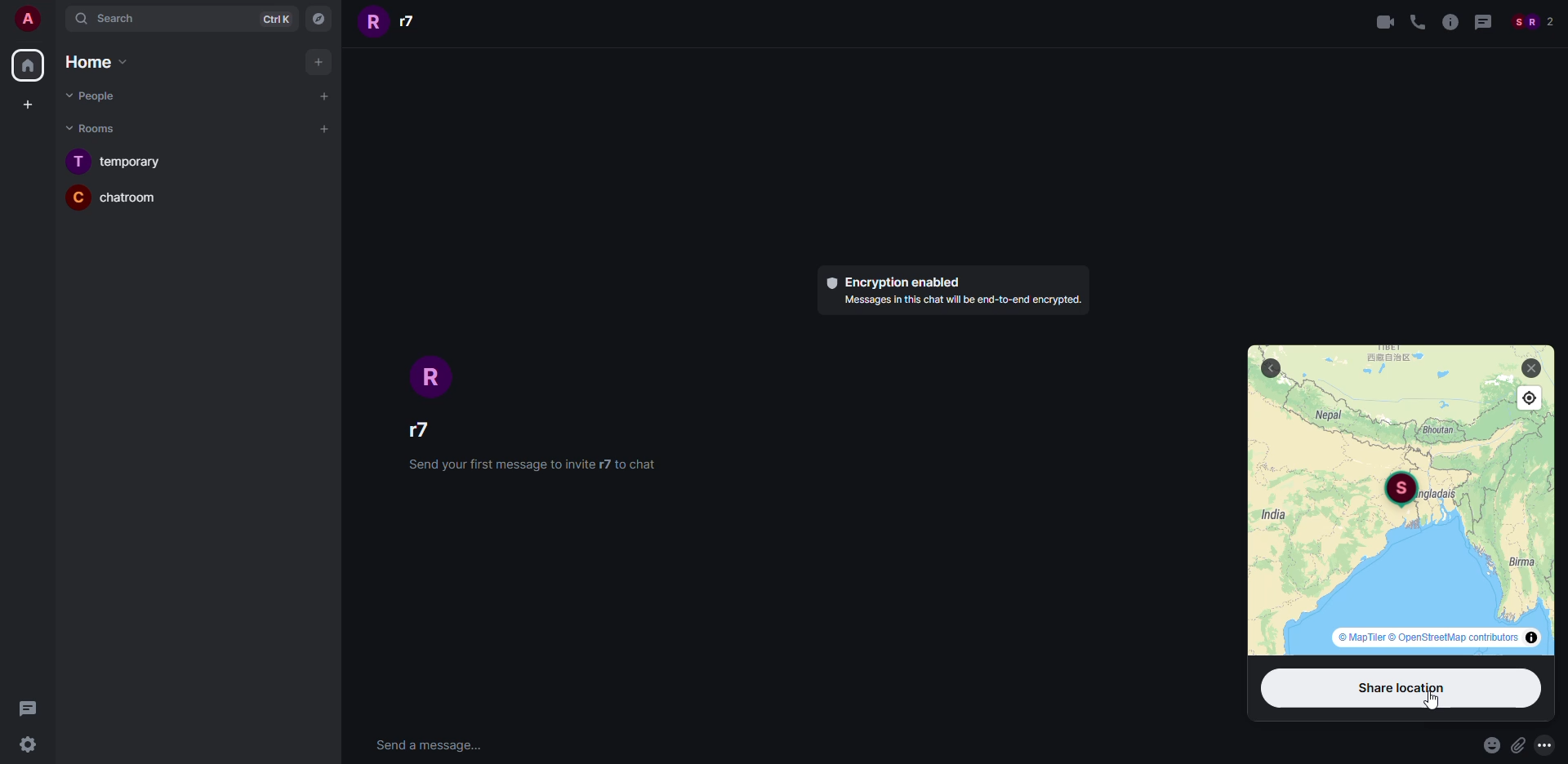 This screenshot has width=1568, height=764. What do you see at coordinates (90, 95) in the screenshot?
I see `Poeple` at bounding box center [90, 95].